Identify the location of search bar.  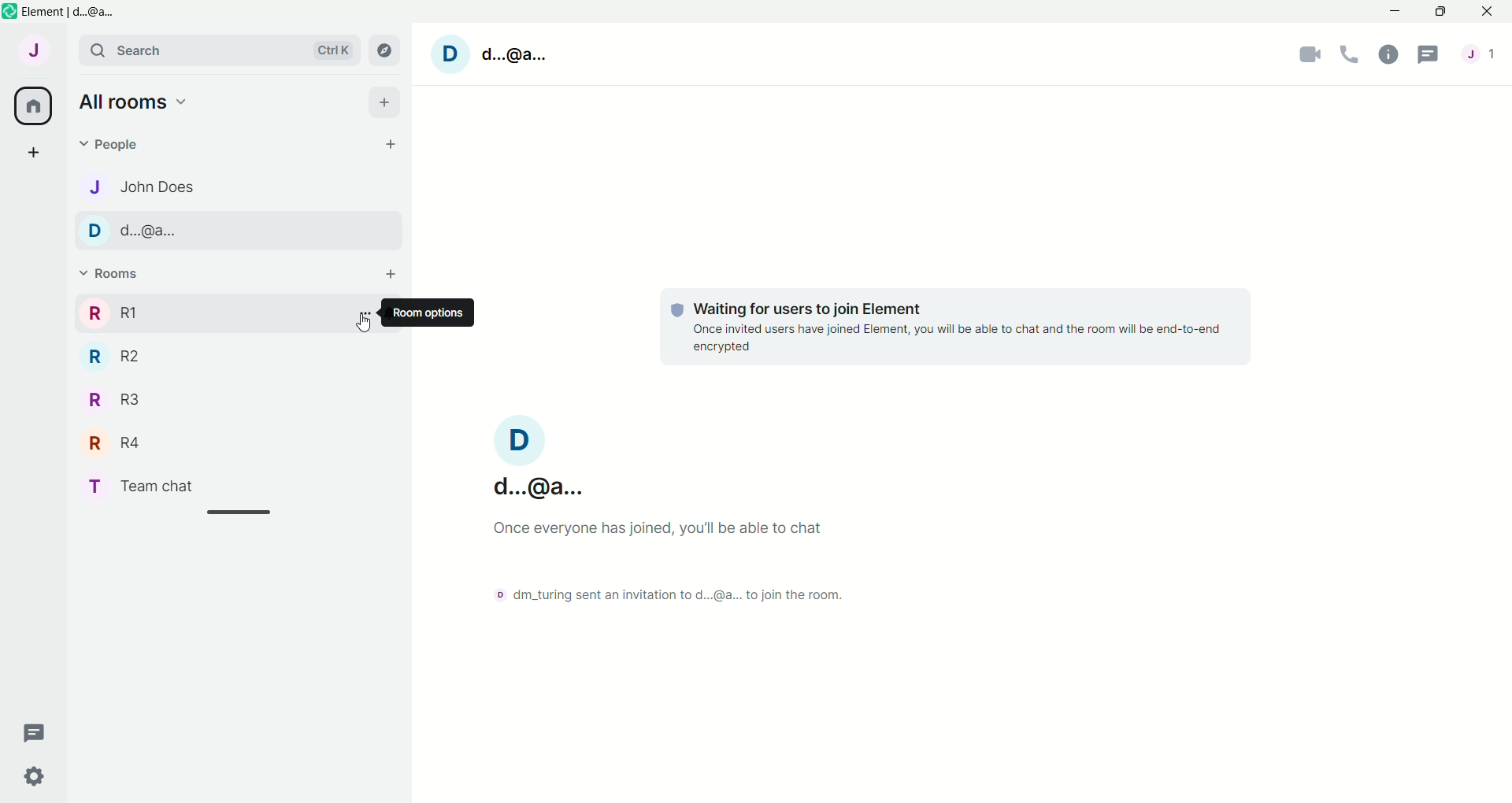
(159, 54).